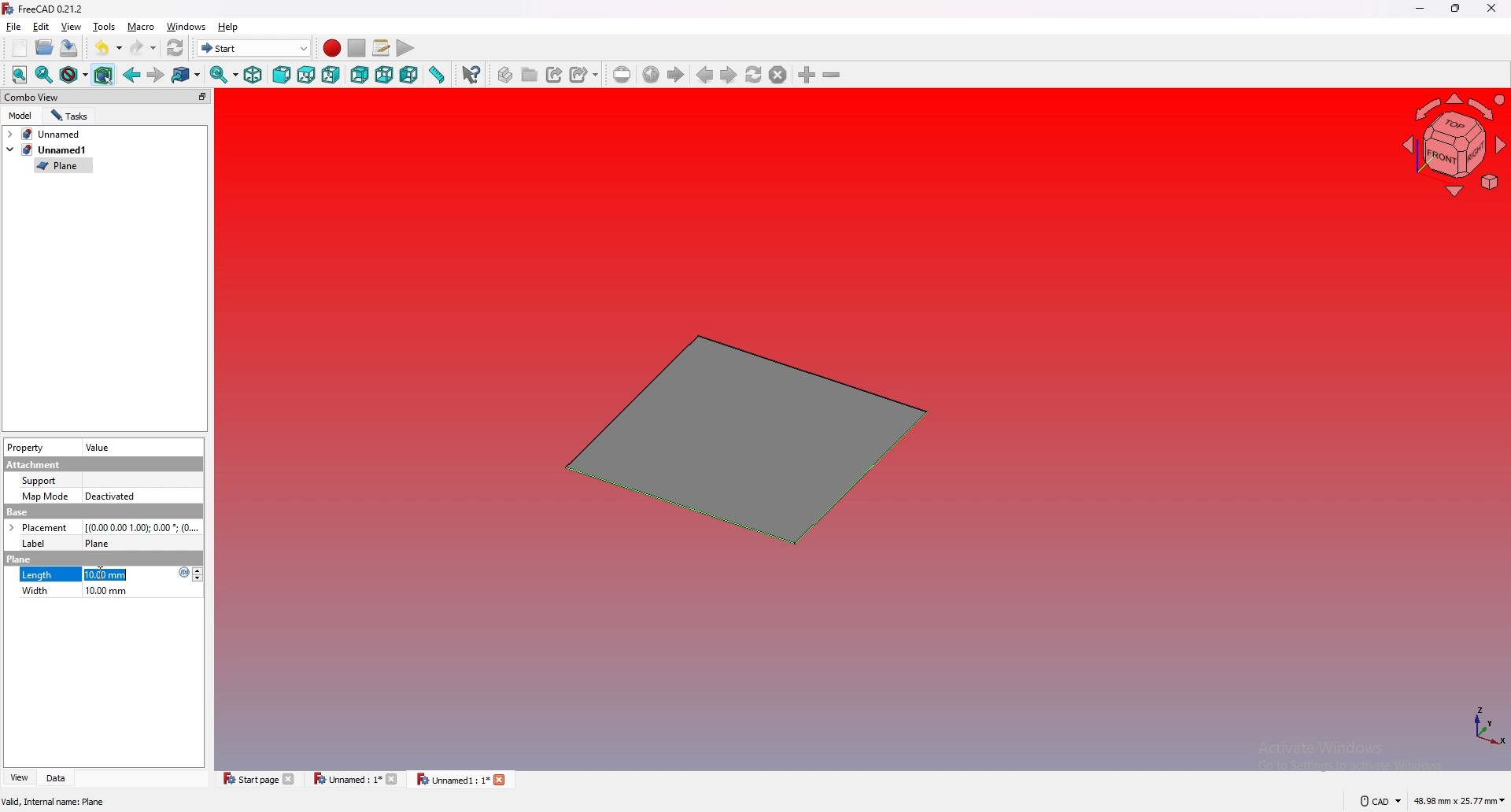 The image size is (1511, 812). Describe the element at coordinates (70, 116) in the screenshot. I see `tasks` at that location.